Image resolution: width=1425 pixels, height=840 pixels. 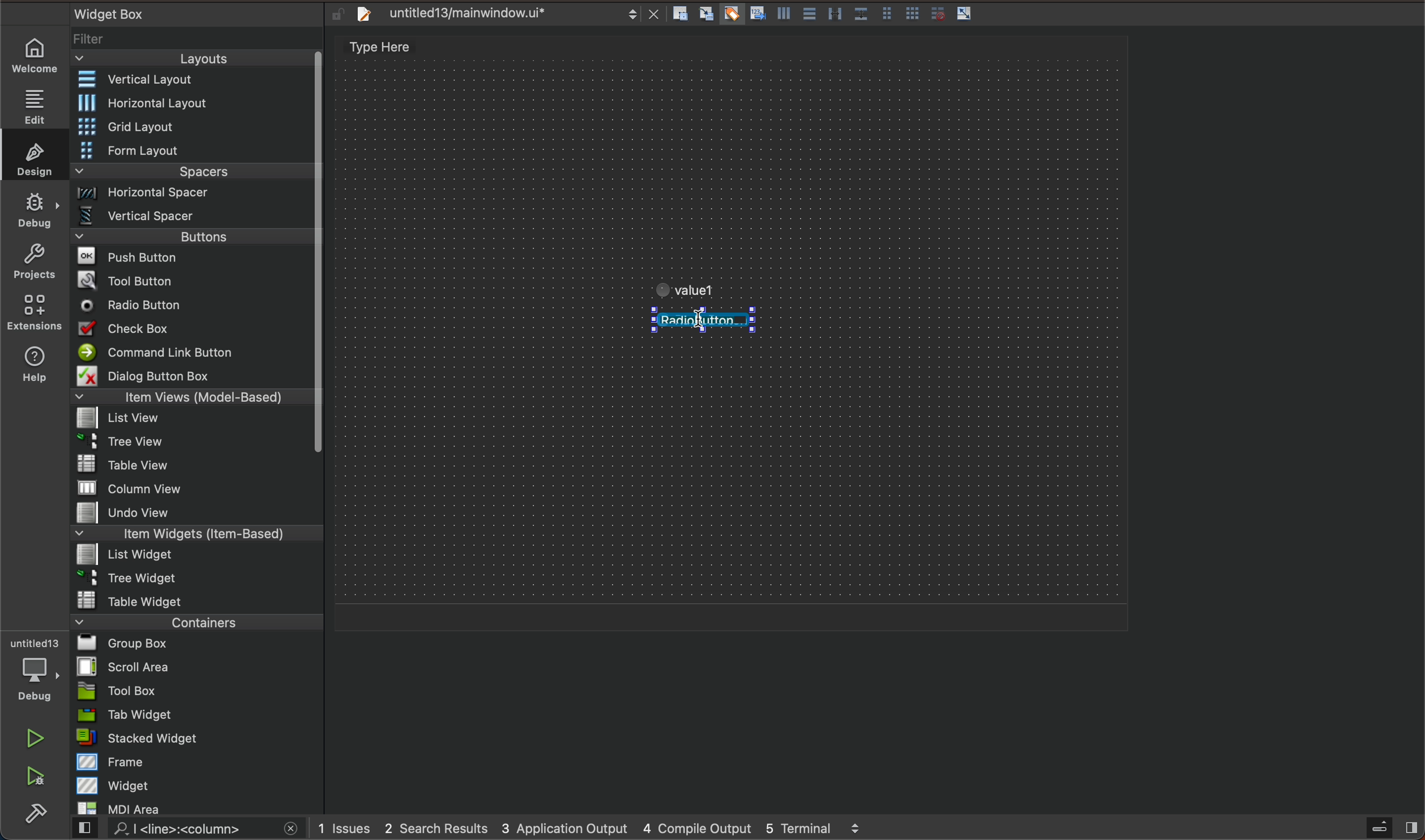 I want to click on tool button, so click(x=194, y=280).